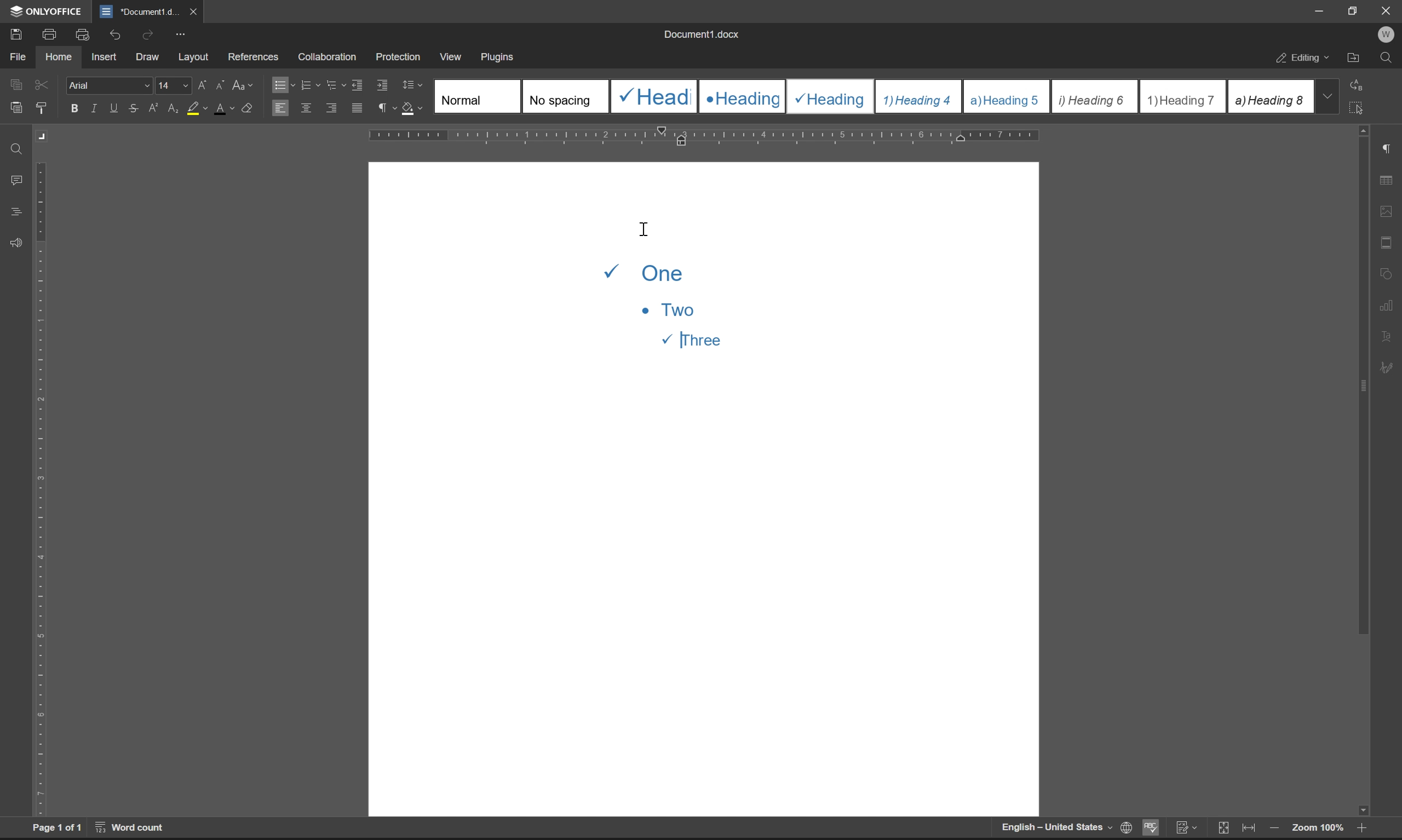 The height and width of the screenshot is (840, 1402). Describe the element at coordinates (201, 83) in the screenshot. I see `increment font case` at that location.